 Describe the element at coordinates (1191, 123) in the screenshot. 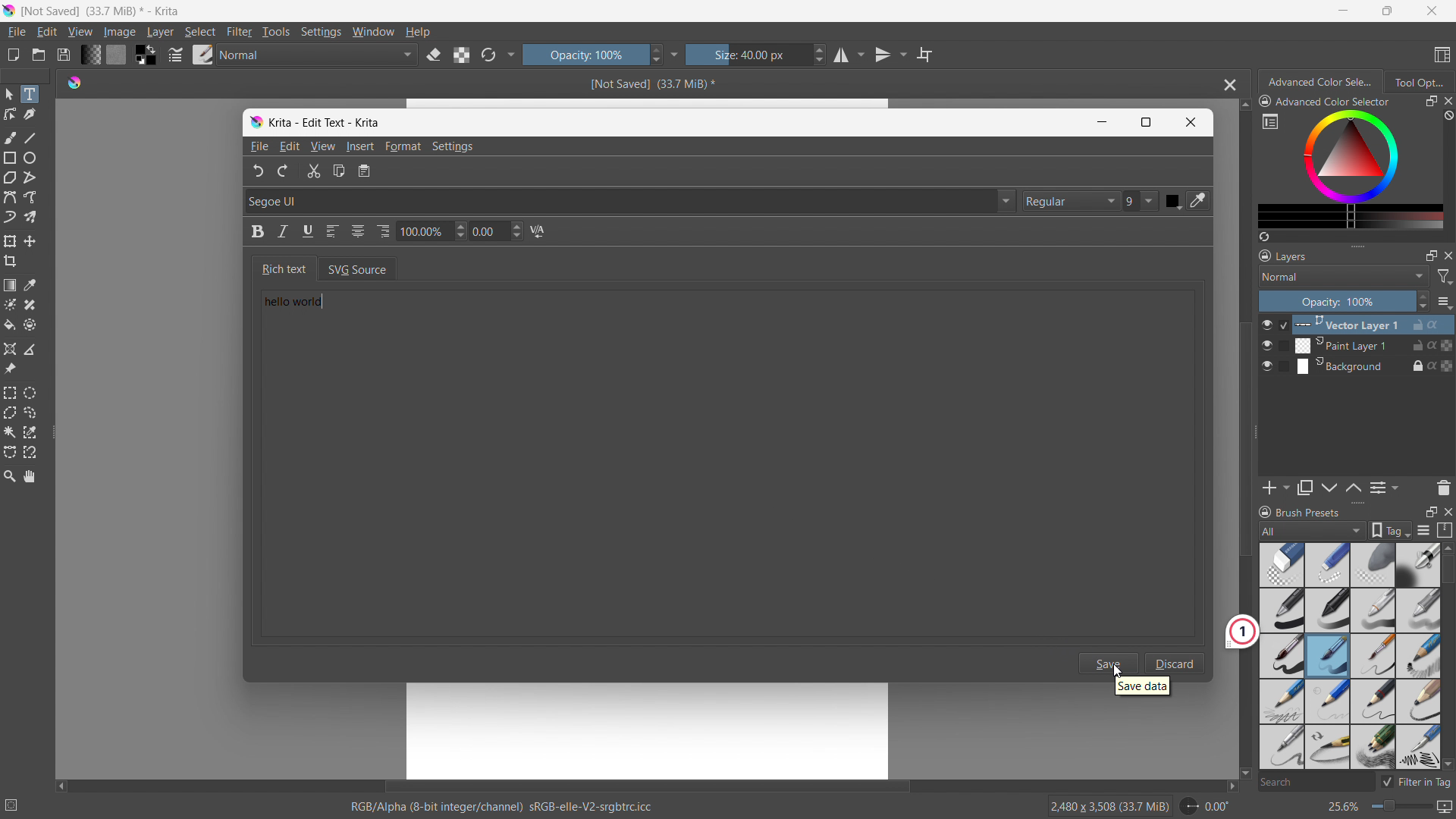

I see `Close` at that location.